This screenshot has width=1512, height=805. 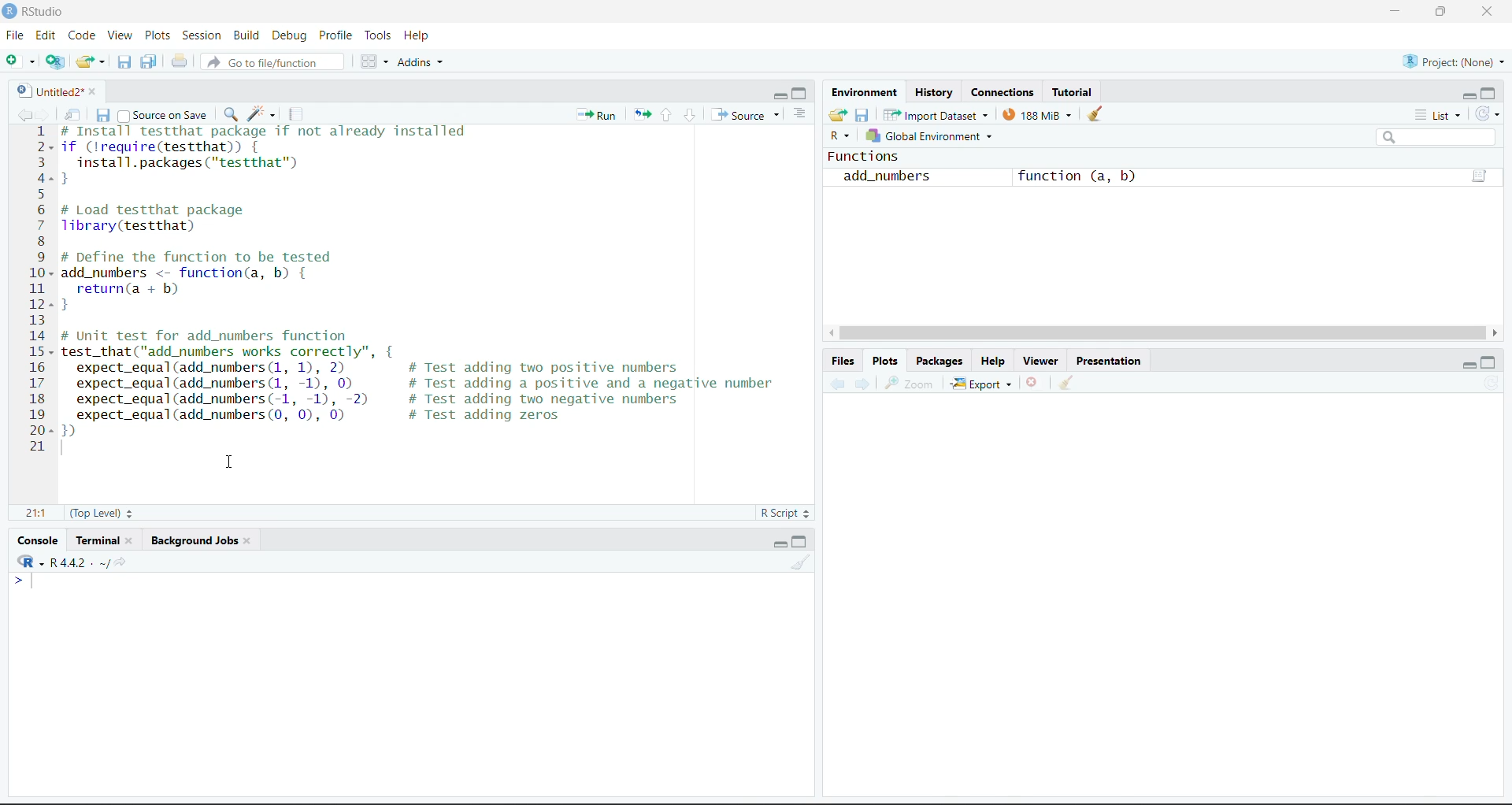 I want to click on scroll right, so click(x=1494, y=334).